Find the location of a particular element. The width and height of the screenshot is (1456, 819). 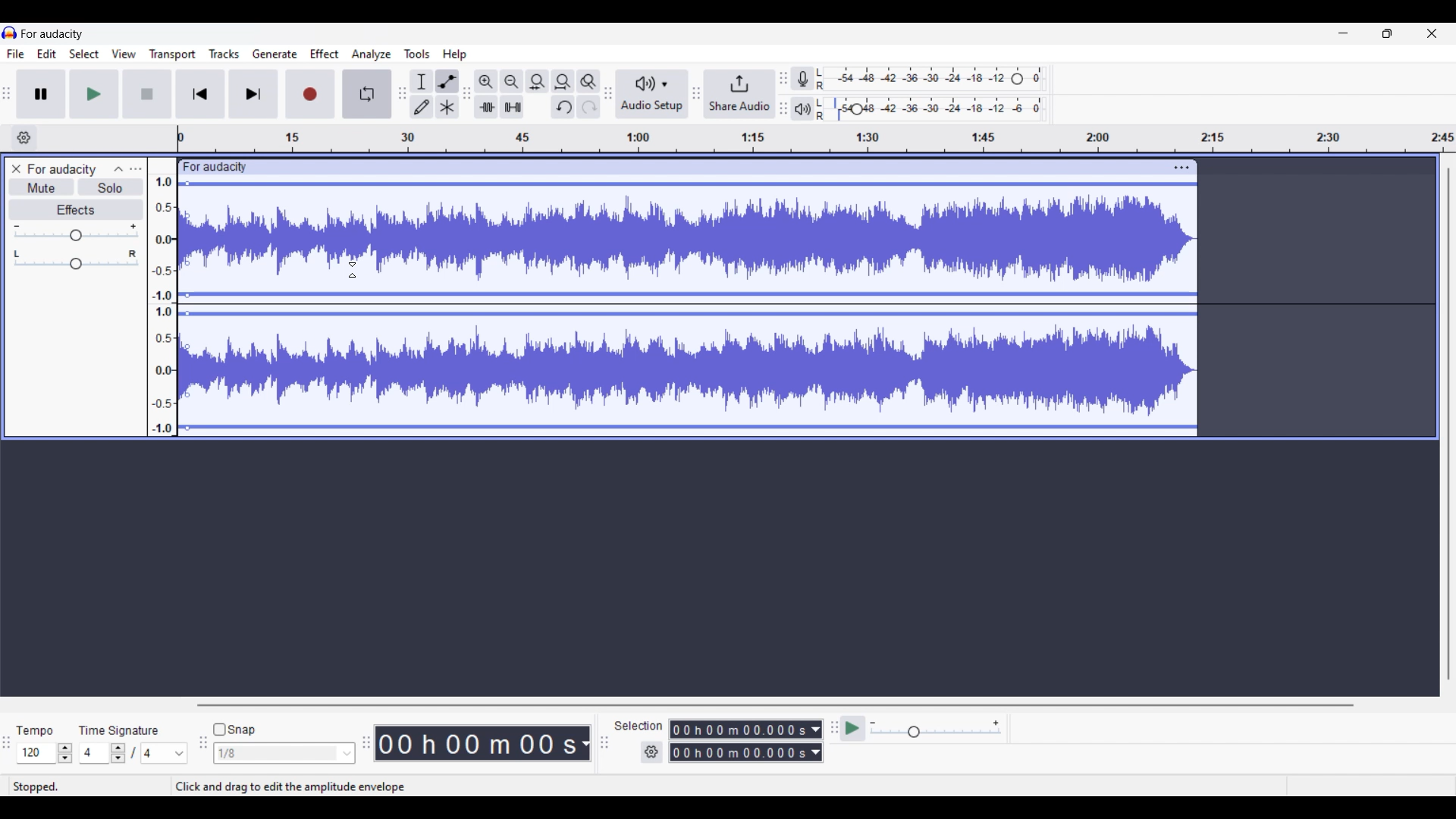

Fit project to width is located at coordinates (564, 81).